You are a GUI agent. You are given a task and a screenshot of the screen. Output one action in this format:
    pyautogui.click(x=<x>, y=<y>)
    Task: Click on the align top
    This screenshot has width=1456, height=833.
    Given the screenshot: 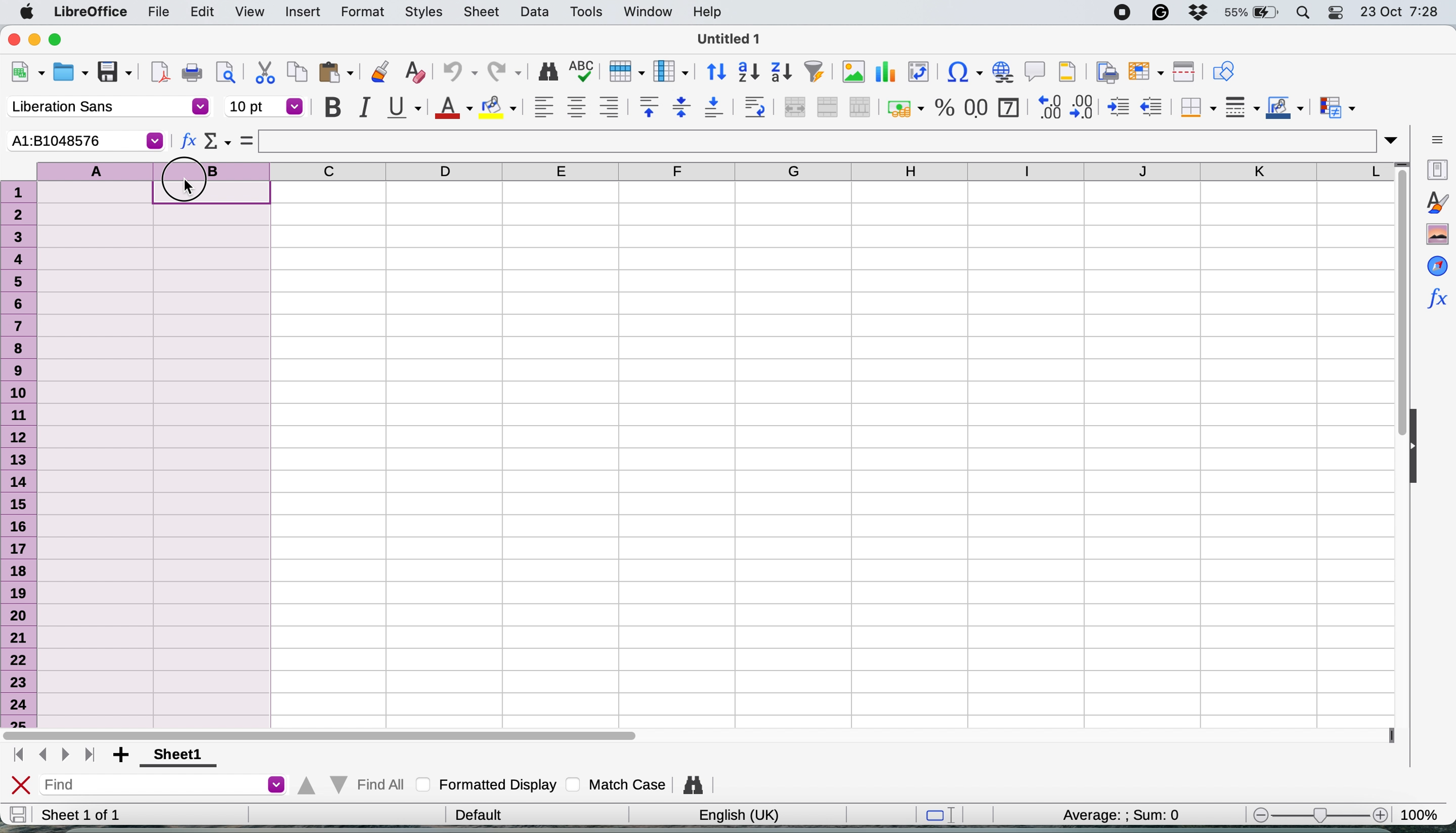 What is the action you would take?
    pyautogui.click(x=646, y=108)
    